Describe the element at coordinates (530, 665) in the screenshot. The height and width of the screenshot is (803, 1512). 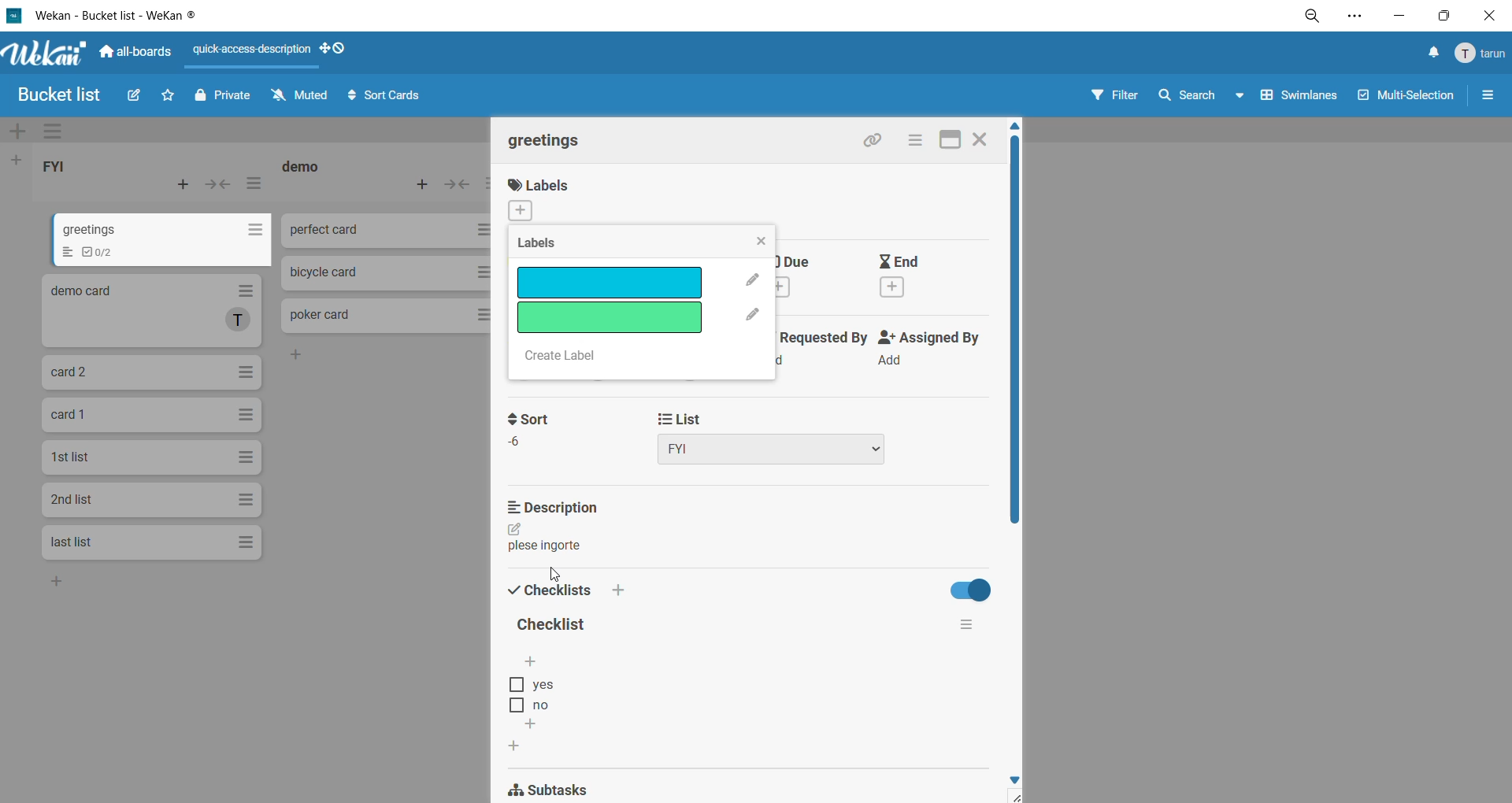
I see `add checklist options` at that location.